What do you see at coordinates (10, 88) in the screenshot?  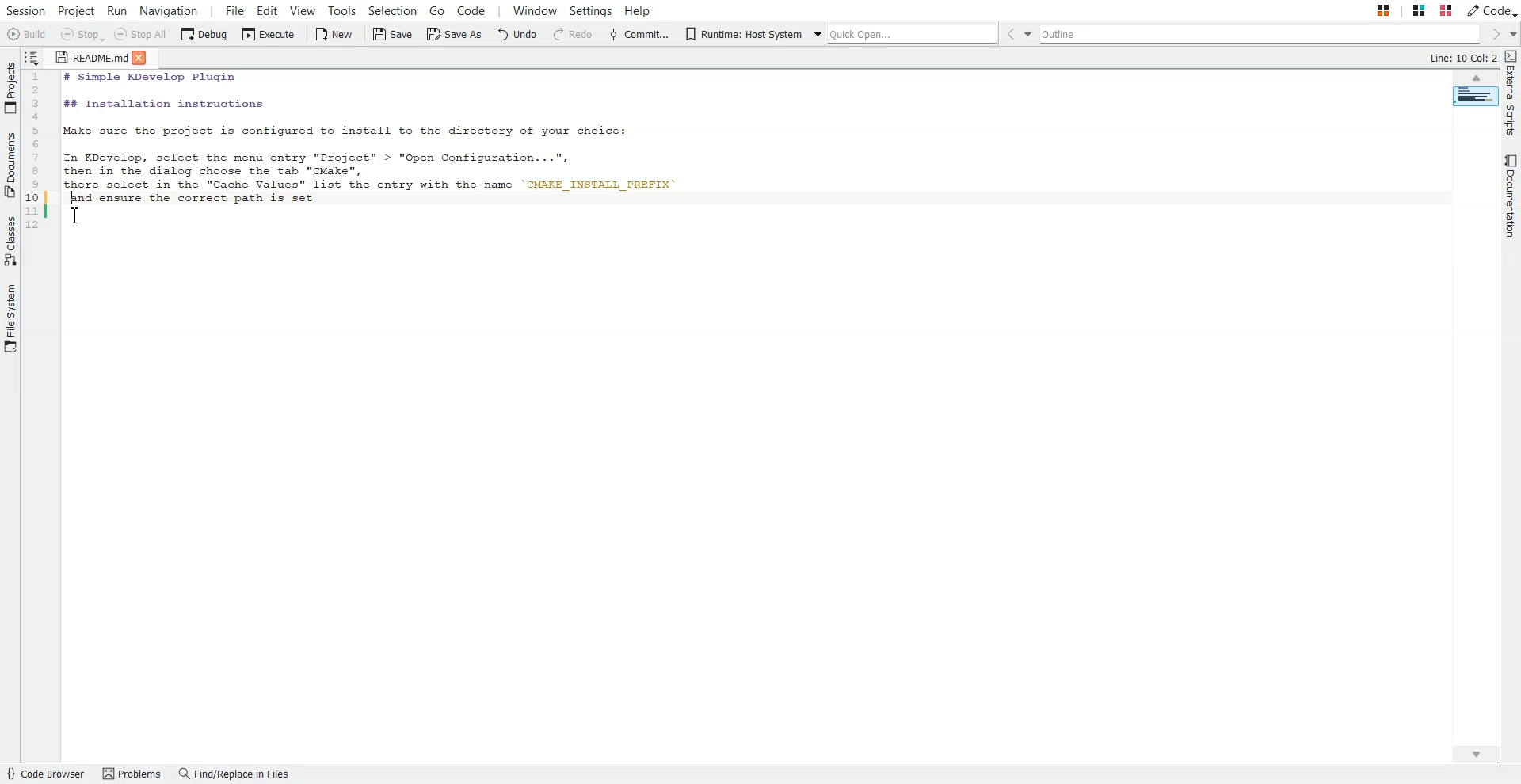 I see `Projects` at bounding box center [10, 88].